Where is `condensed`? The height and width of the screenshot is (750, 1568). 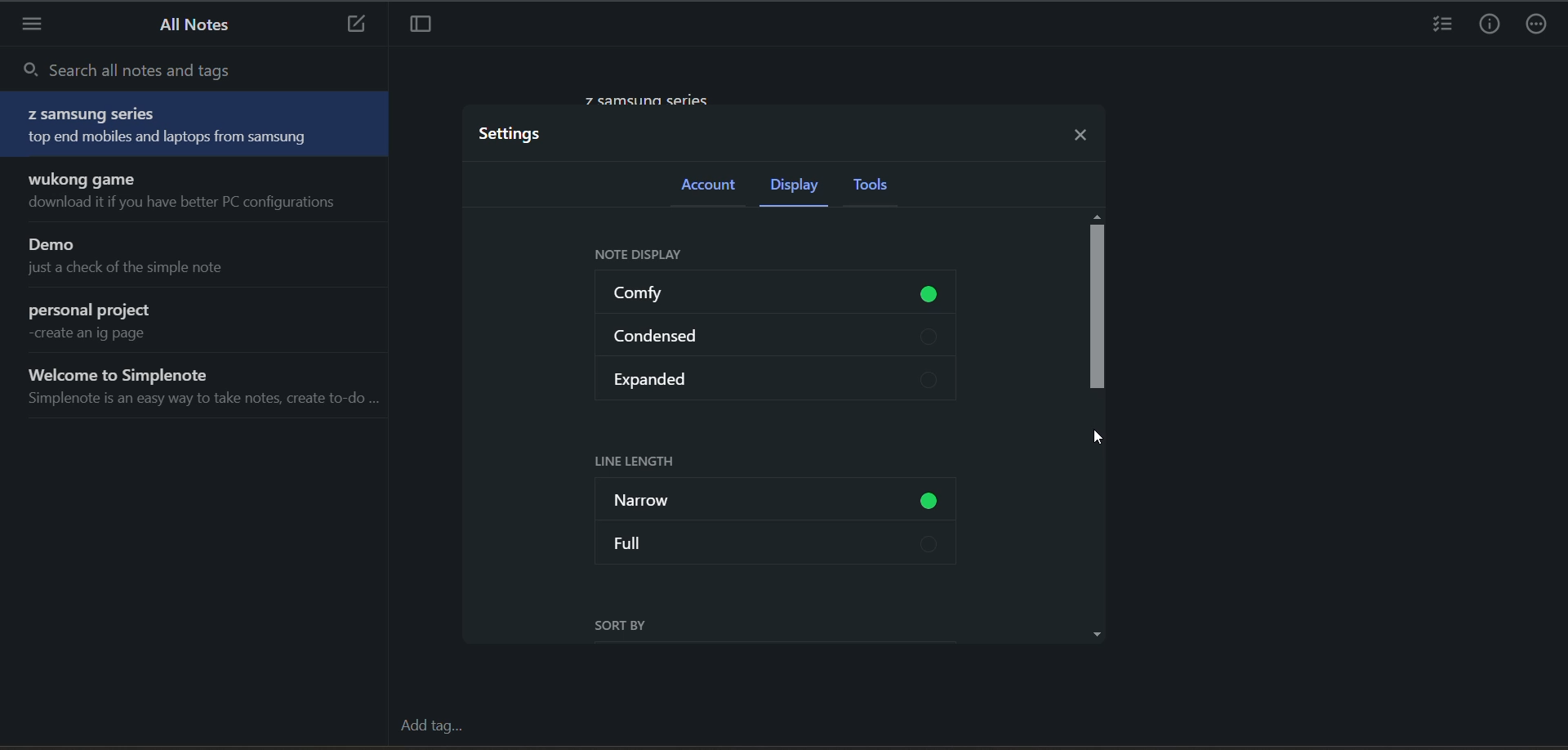
condensed is located at coordinates (780, 332).